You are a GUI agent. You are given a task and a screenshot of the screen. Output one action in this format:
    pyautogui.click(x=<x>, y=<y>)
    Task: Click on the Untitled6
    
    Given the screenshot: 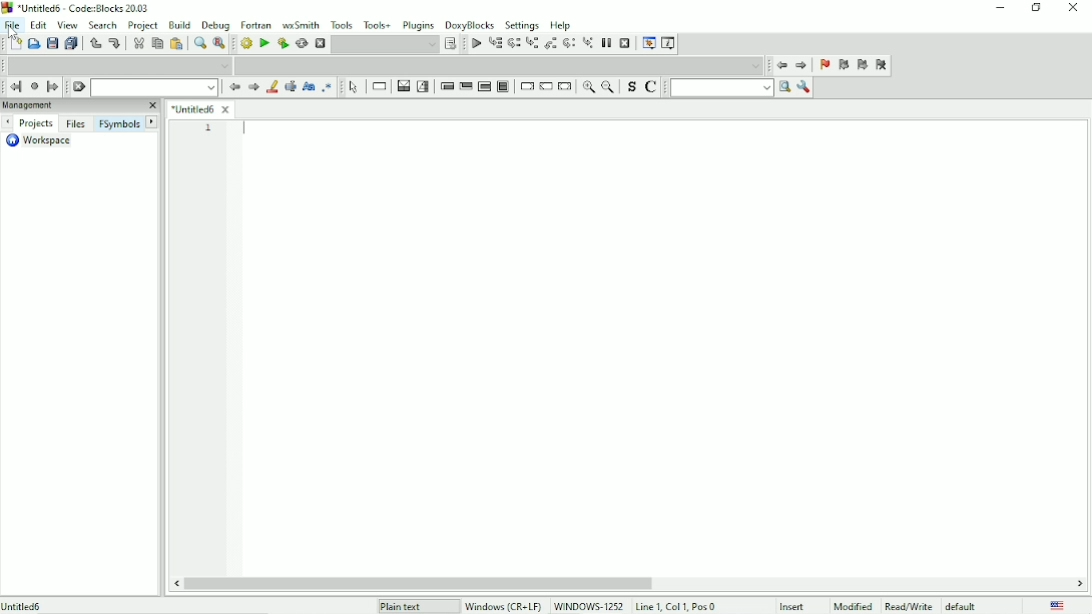 What is the action you would take?
    pyautogui.click(x=24, y=606)
    